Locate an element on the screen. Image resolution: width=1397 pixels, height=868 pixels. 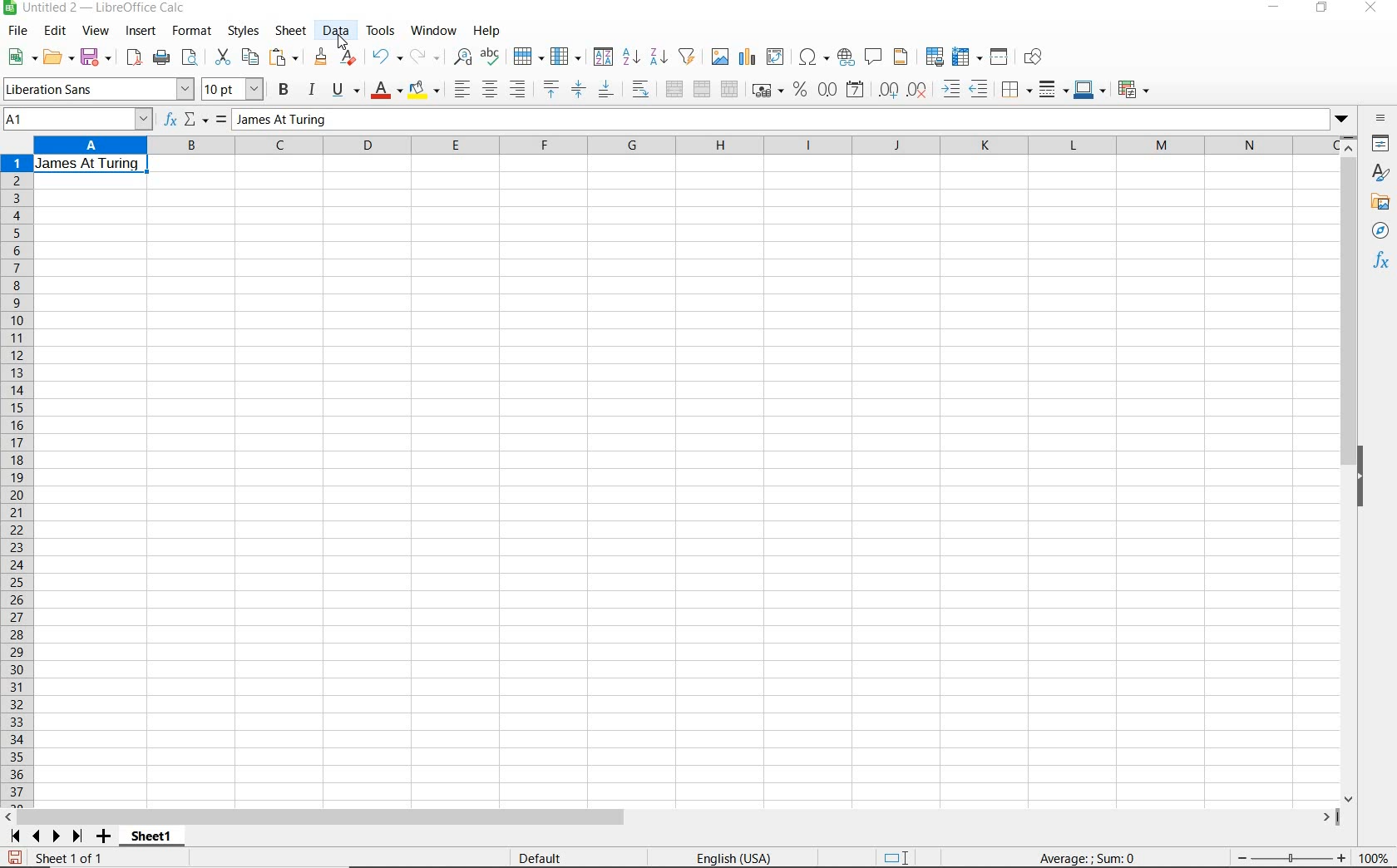
toggle print preview is located at coordinates (193, 59).